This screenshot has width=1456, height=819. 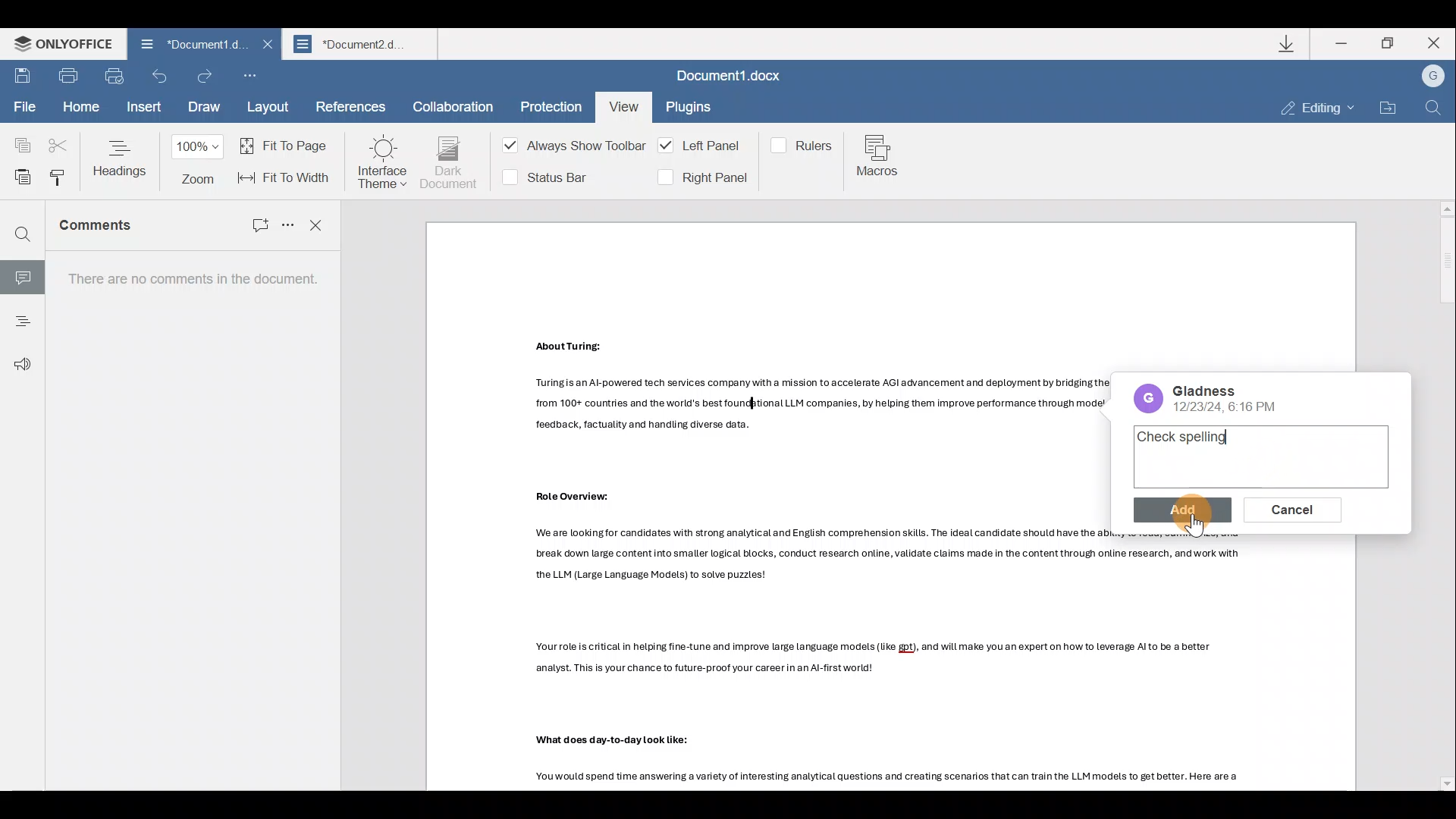 What do you see at coordinates (250, 221) in the screenshot?
I see `Add comment` at bounding box center [250, 221].